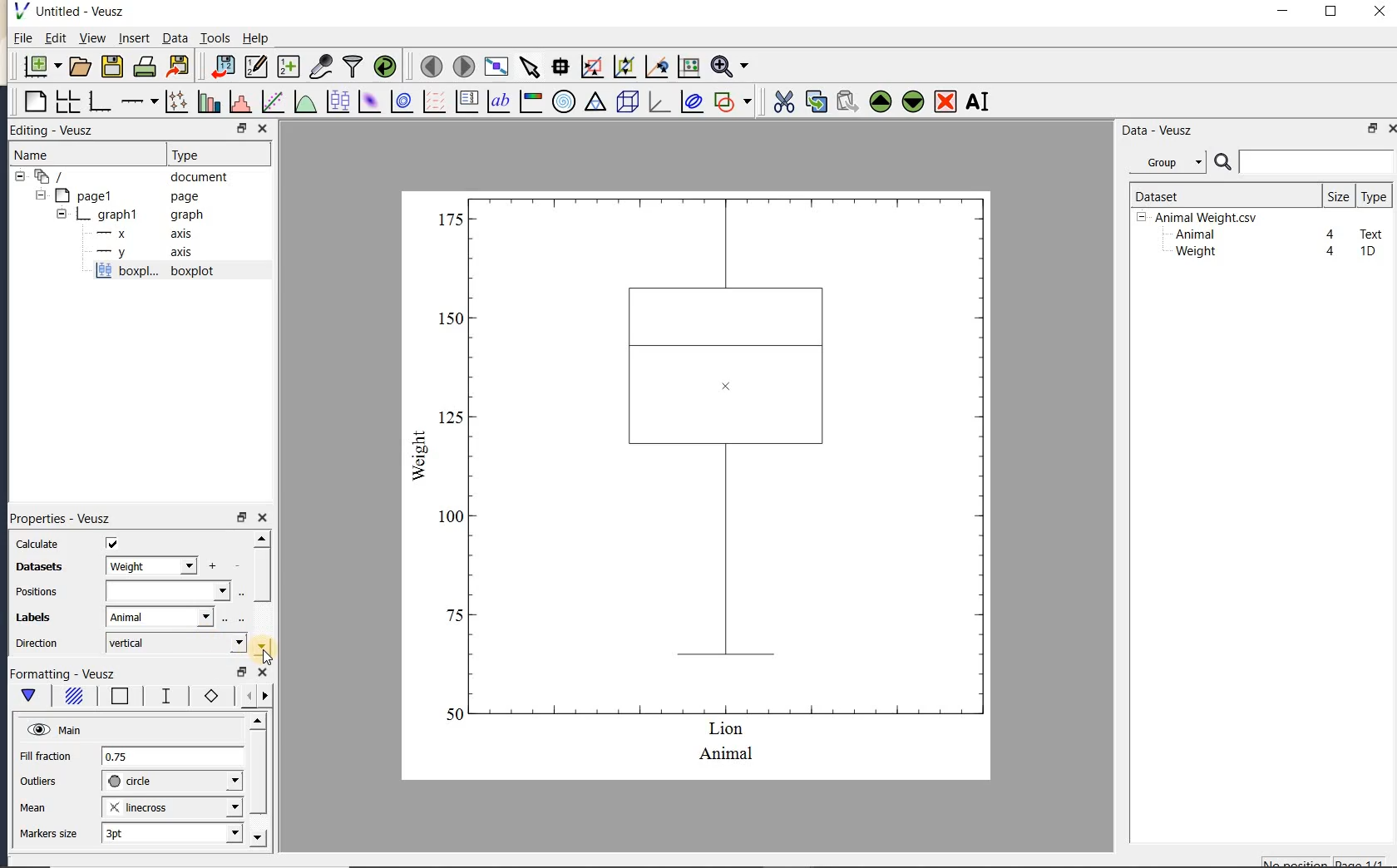 Image resolution: width=1397 pixels, height=868 pixels. Describe the element at coordinates (847, 103) in the screenshot. I see `paste widget from the clipboard` at that location.